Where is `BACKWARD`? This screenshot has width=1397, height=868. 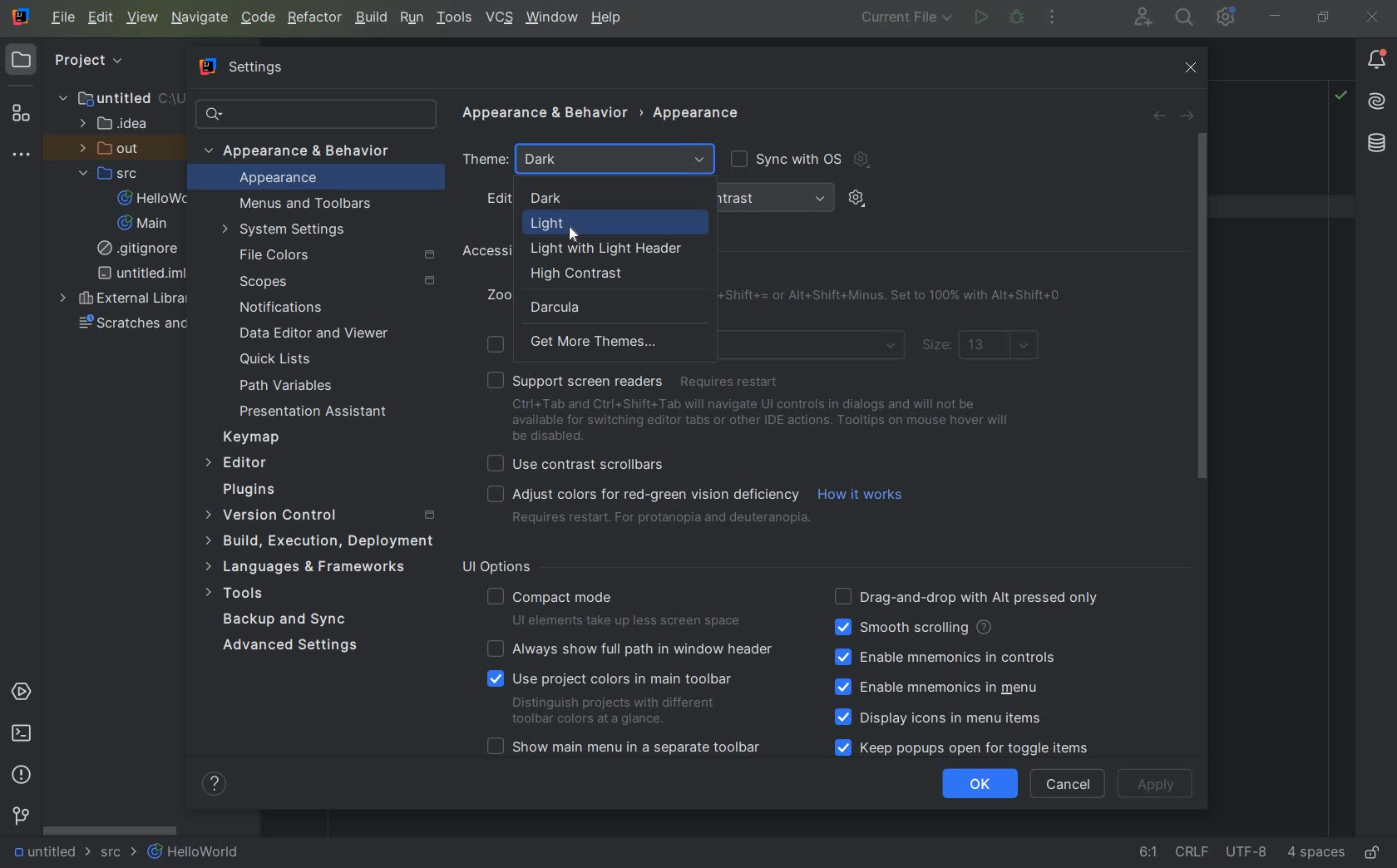 BACKWARD is located at coordinates (1158, 116).